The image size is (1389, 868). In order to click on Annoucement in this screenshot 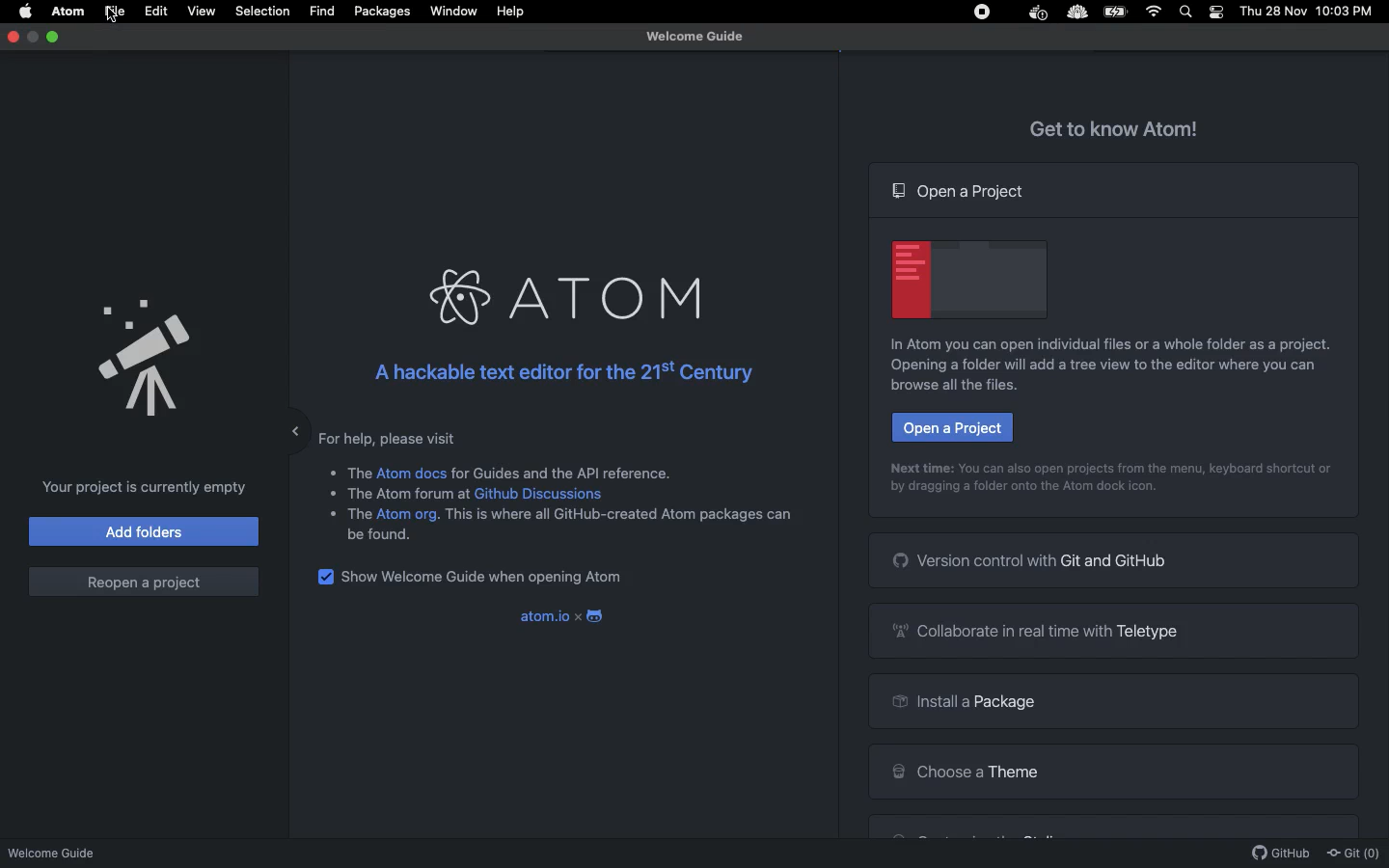, I will do `click(125, 352)`.